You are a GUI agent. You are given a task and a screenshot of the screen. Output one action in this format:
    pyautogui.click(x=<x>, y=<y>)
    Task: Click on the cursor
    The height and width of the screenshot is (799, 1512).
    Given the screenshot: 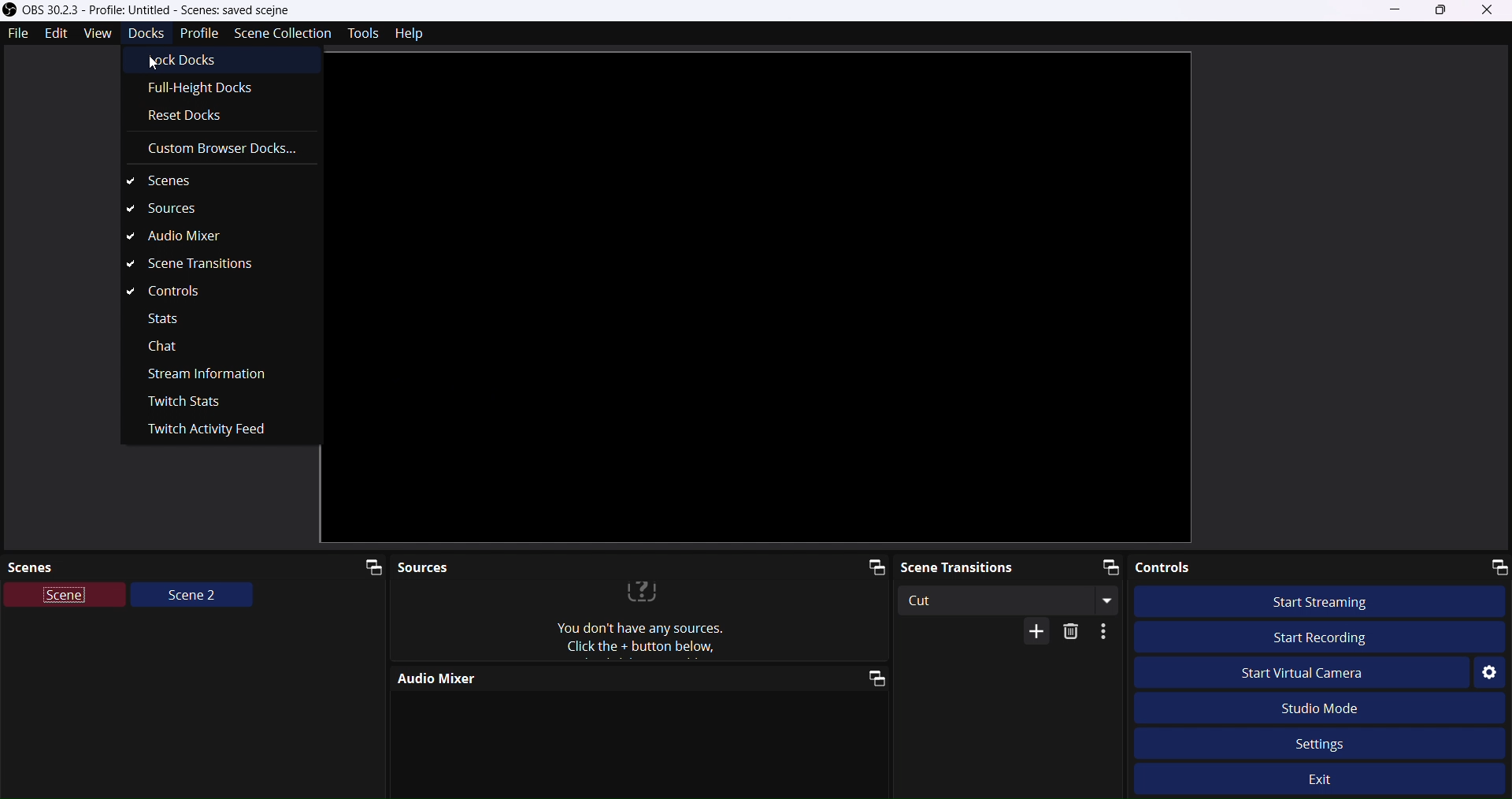 What is the action you would take?
    pyautogui.click(x=154, y=61)
    